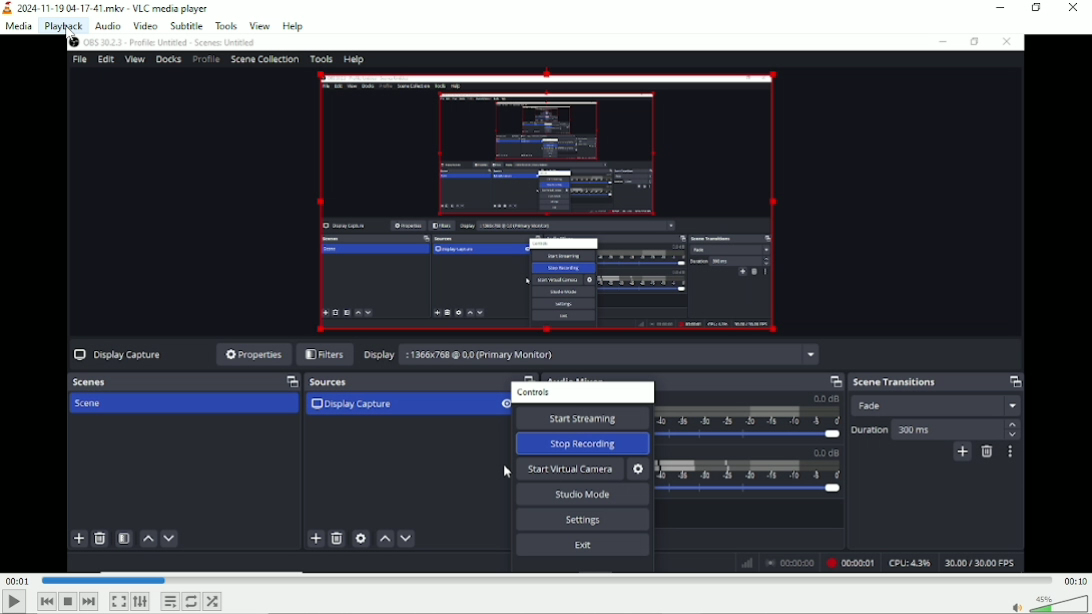 The width and height of the screenshot is (1092, 614). I want to click on audio, so click(107, 24).